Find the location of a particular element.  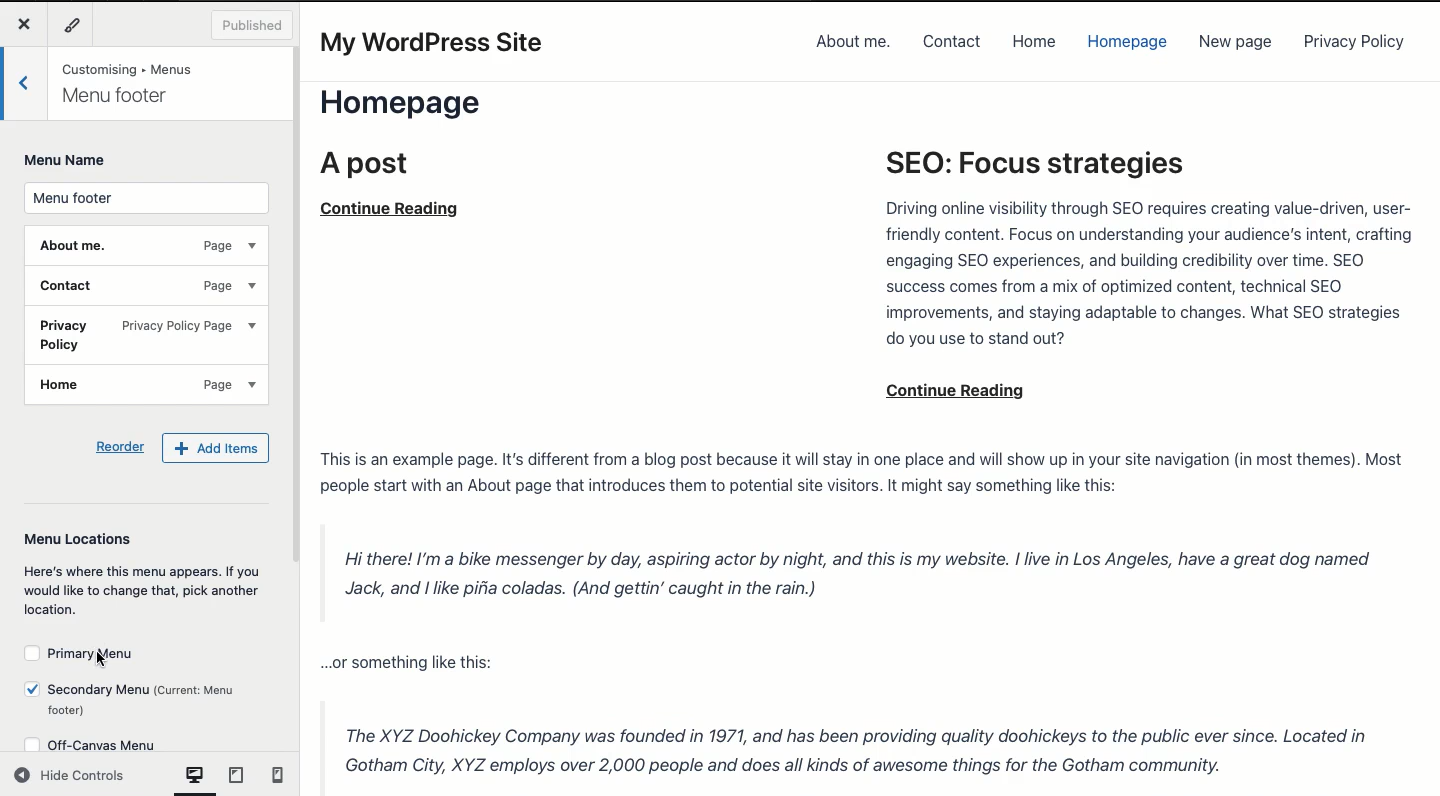

SEO is located at coordinates (1143, 252).